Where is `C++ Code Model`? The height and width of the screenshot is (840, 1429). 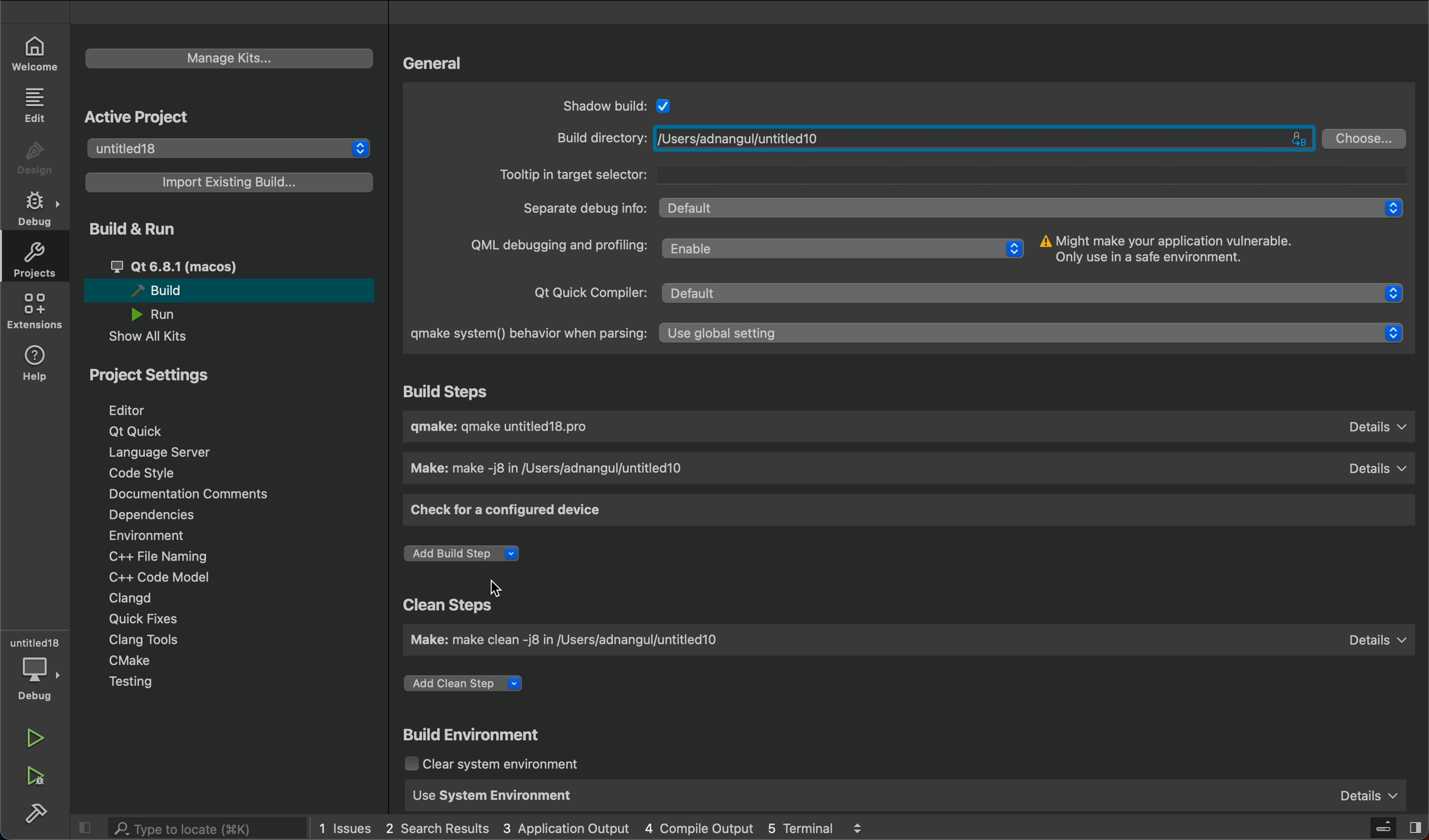
C++ Code Model is located at coordinates (159, 575).